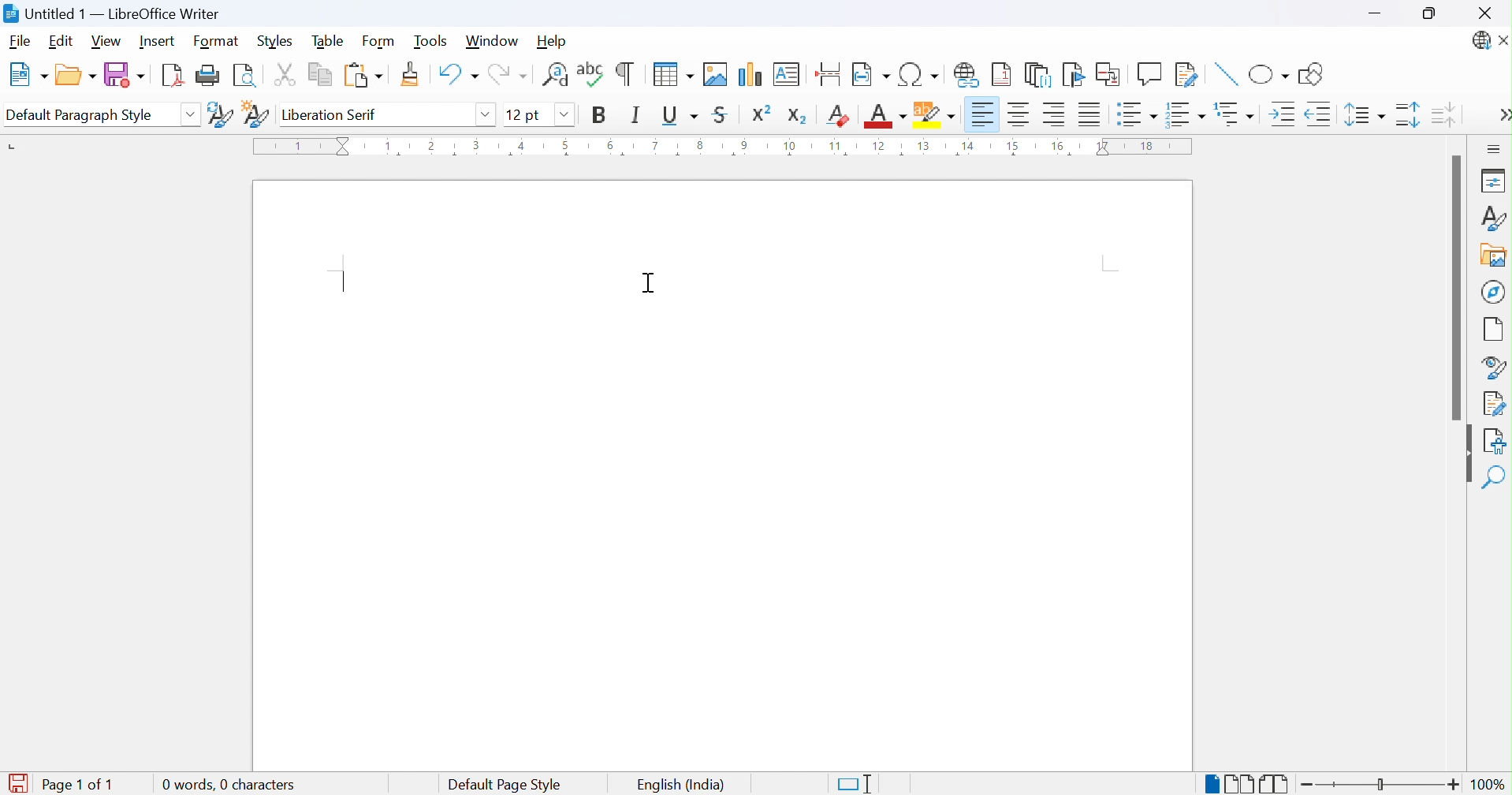  What do you see at coordinates (1408, 114) in the screenshot?
I see `INcrease paragraph sacing` at bounding box center [1408, 114].